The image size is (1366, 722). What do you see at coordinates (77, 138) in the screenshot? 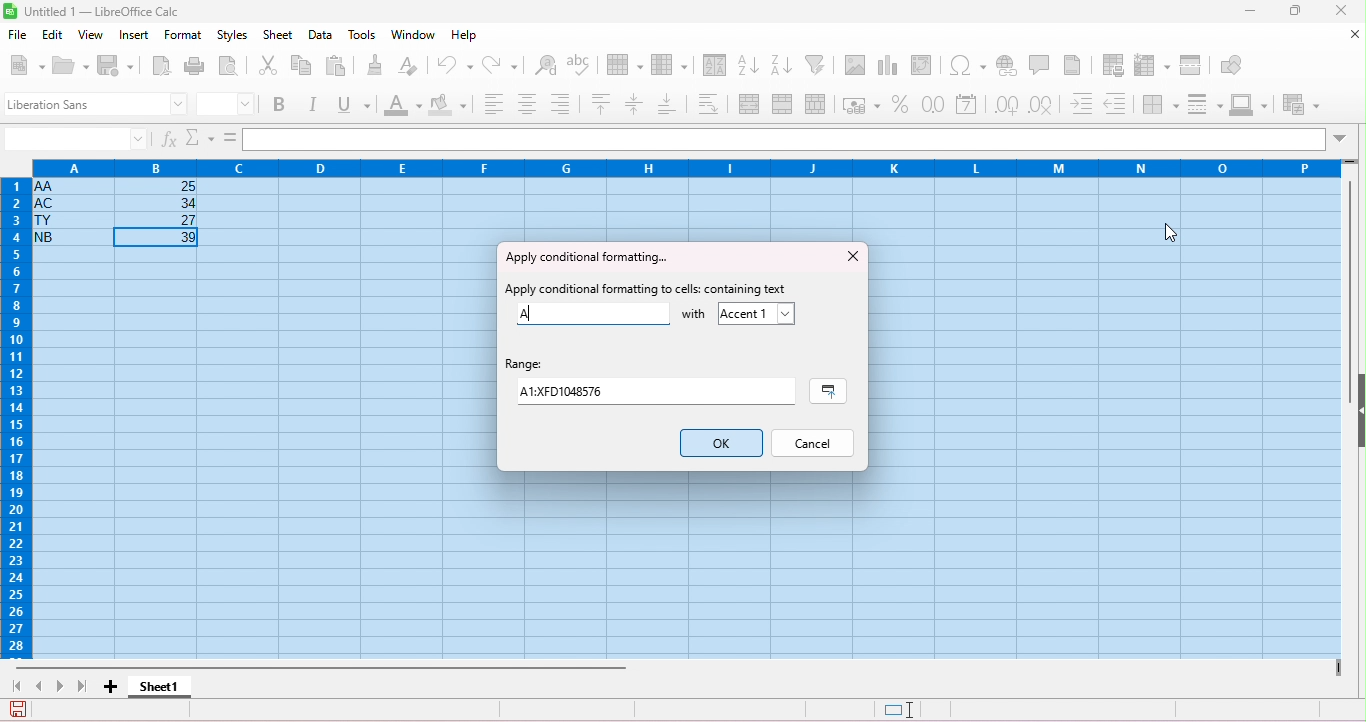
I see `selected cell number` at bounding box center [77, 138].